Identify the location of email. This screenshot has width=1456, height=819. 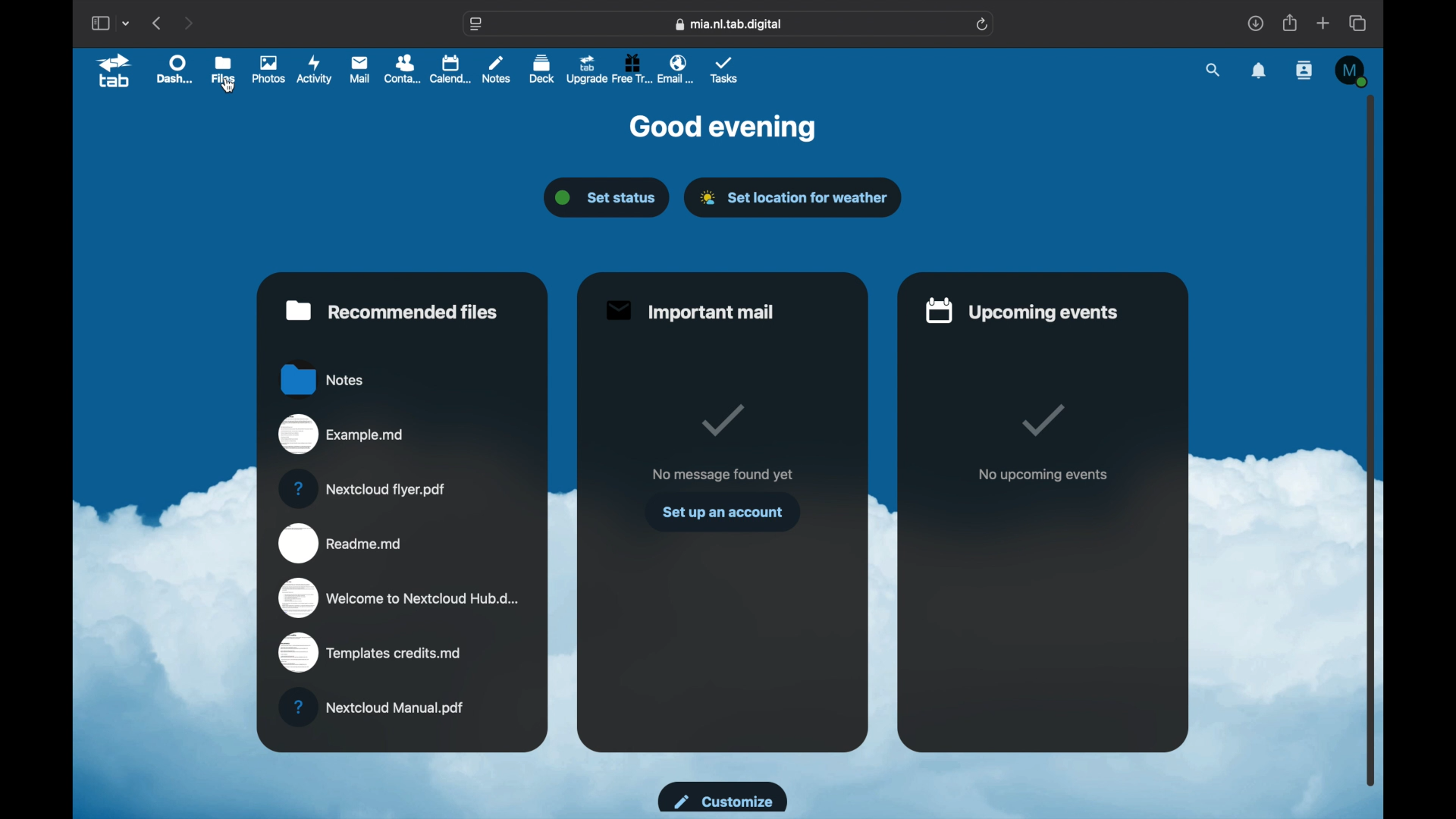
(678, 68).